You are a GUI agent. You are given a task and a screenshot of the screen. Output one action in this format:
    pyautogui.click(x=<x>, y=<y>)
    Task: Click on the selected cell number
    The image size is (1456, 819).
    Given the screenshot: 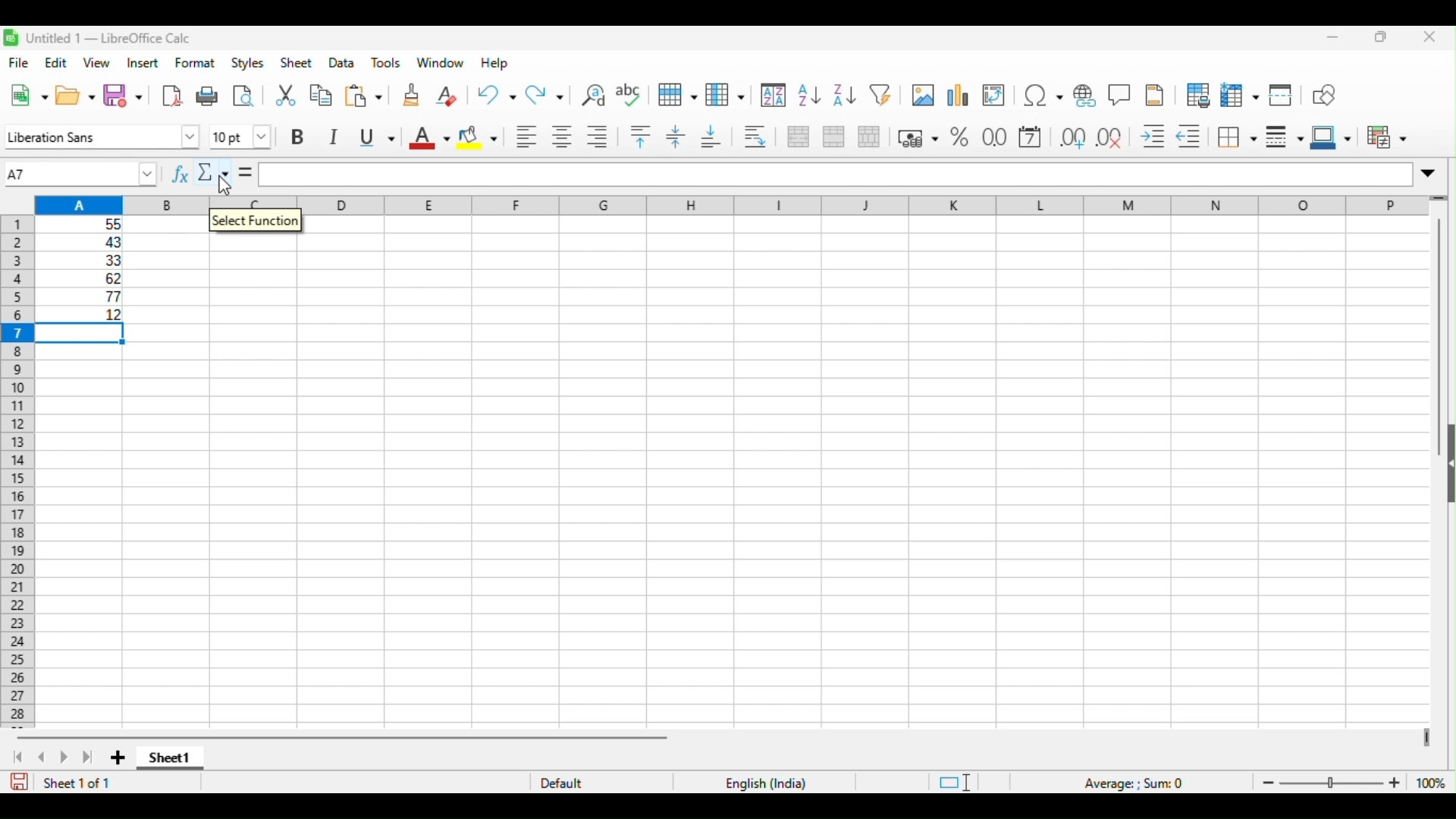 What is the action you would take?
    pyautogui.click(x=67, y=174)
    